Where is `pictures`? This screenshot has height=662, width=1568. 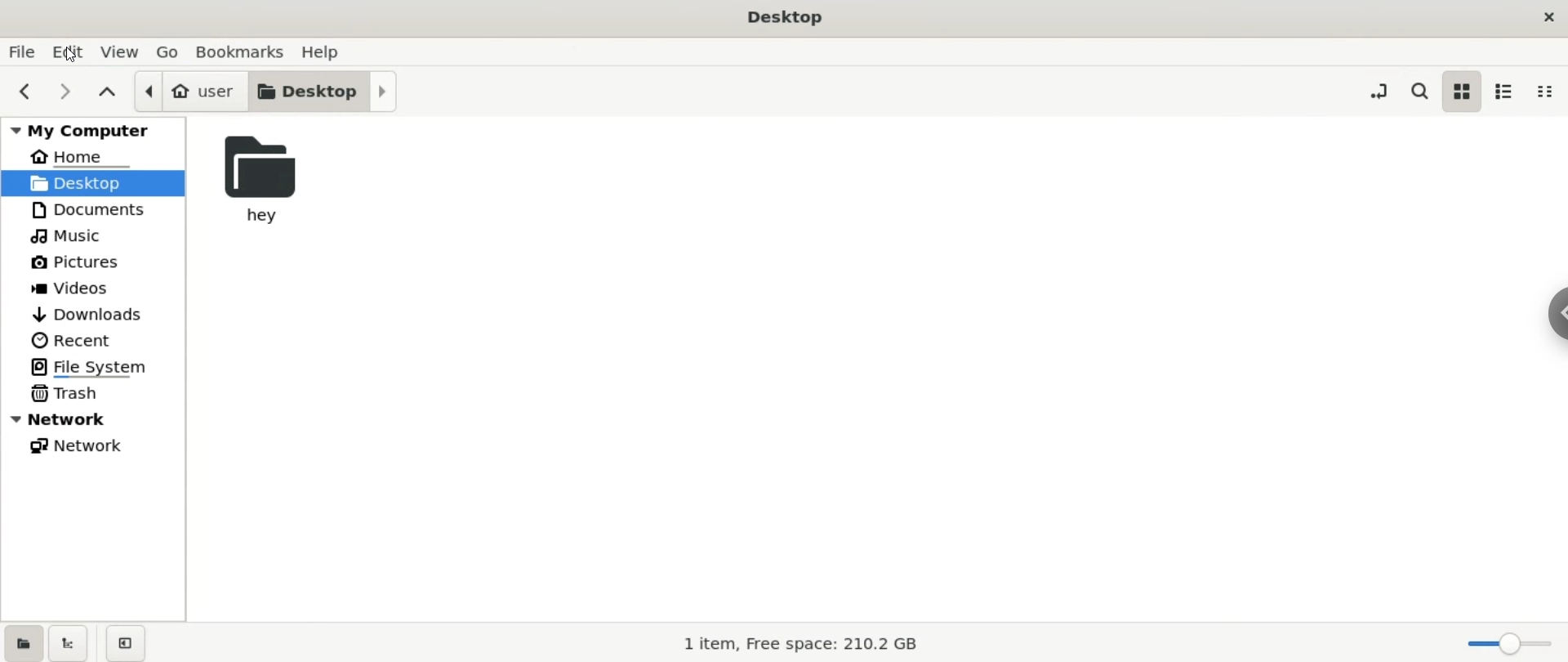
pictures is located at coordinates (77, 262).